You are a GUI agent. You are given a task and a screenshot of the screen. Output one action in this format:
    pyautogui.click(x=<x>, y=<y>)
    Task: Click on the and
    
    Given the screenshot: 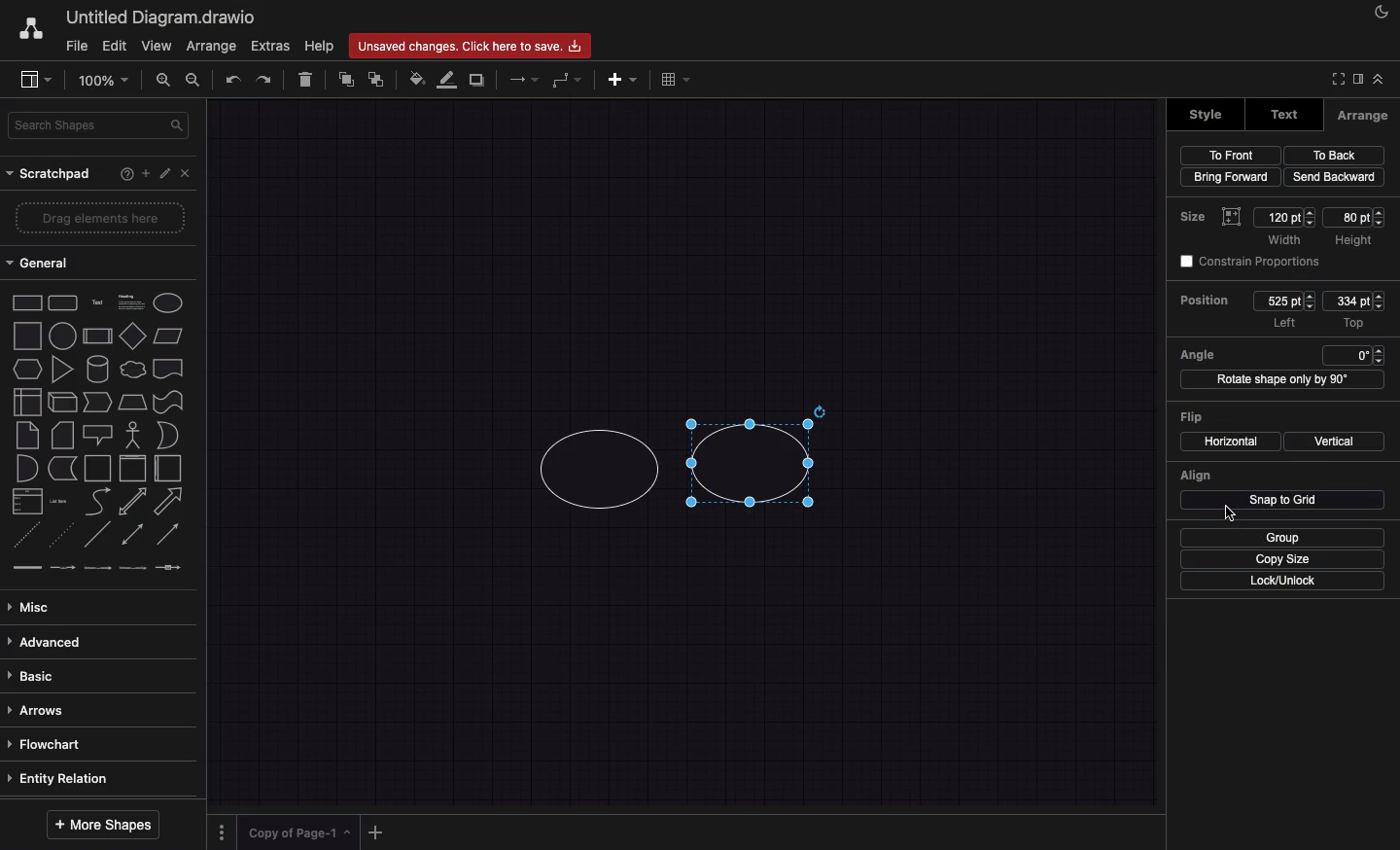 What is the action you would take?
    pyautogui.click(x=27, y=469)
    